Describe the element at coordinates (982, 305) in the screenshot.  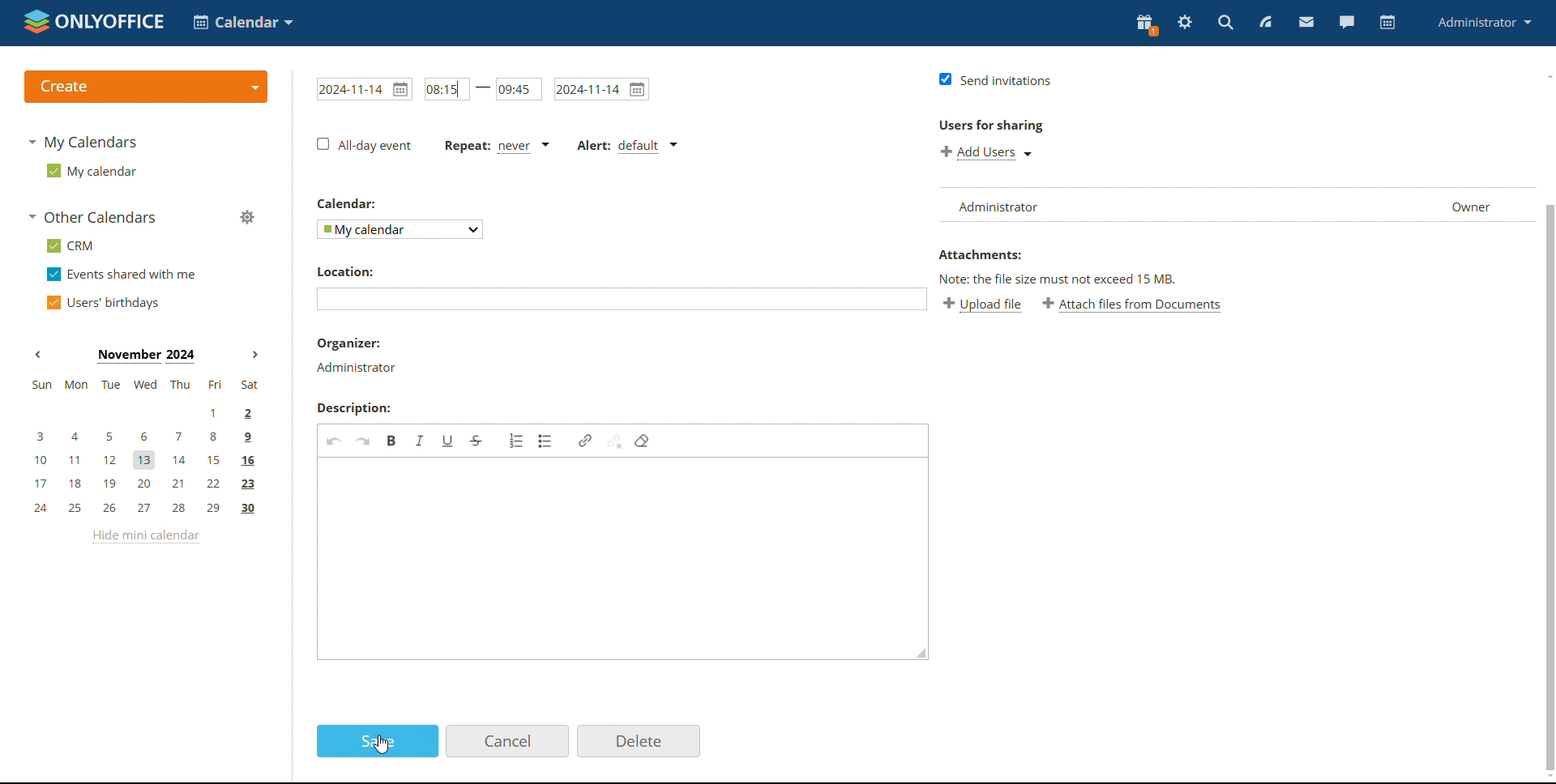
I see `upload file` at that location.